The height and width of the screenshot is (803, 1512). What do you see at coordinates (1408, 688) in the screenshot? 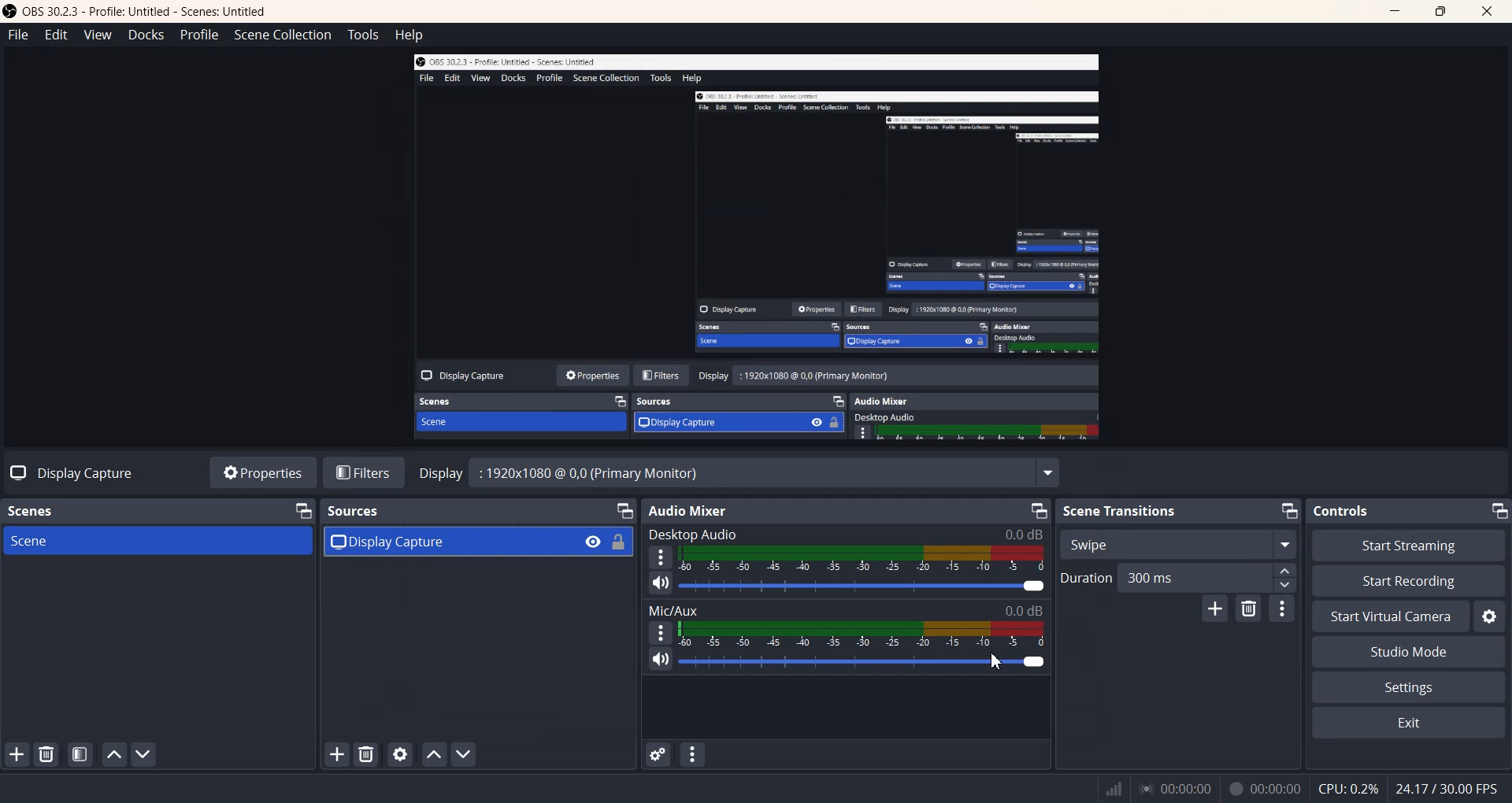
I see `Settings` at bounding box center [1408, 688].